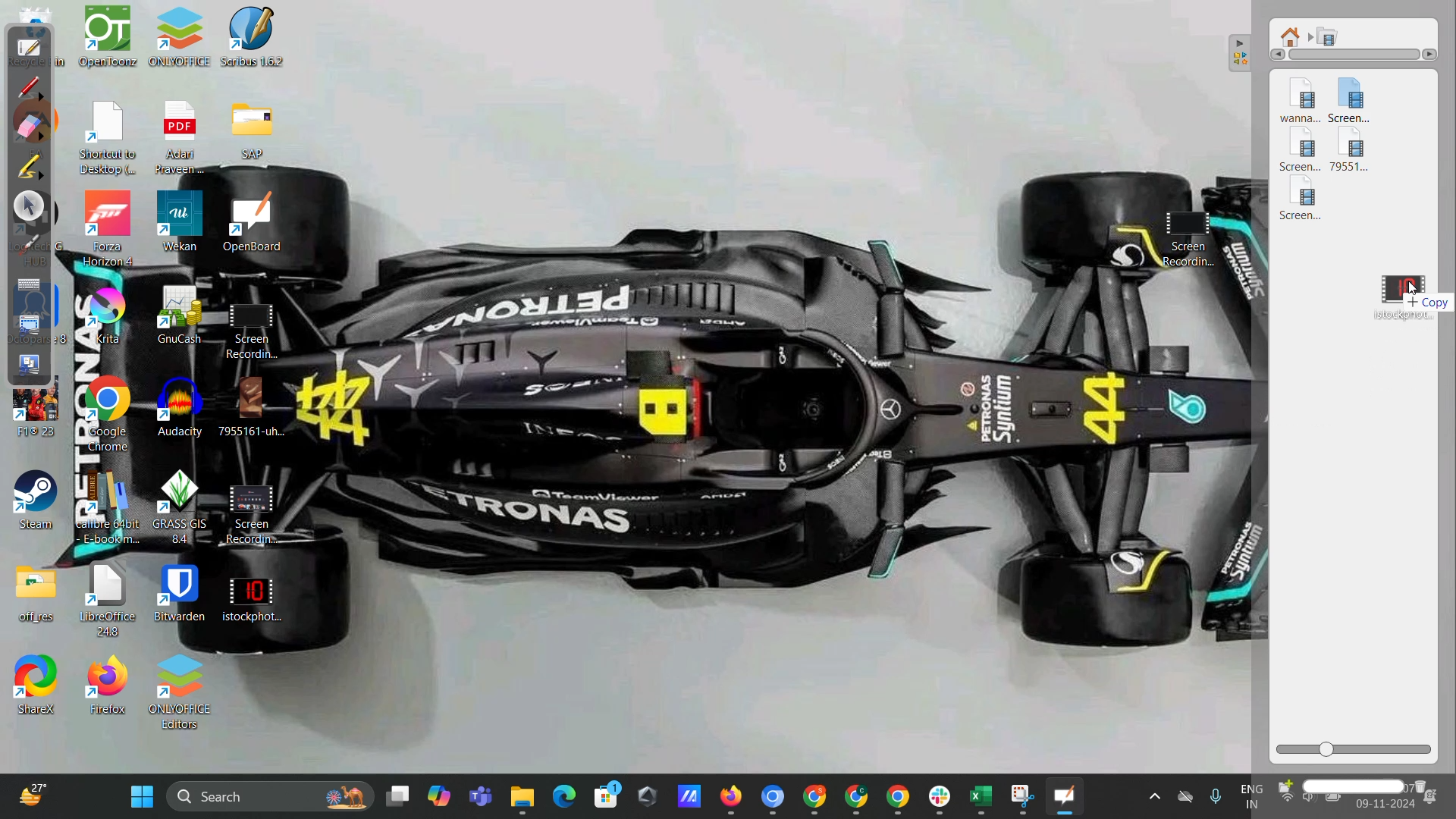  Describe the element at coordinates (256, 130) in the screenshot. I see `SAP` at that location.